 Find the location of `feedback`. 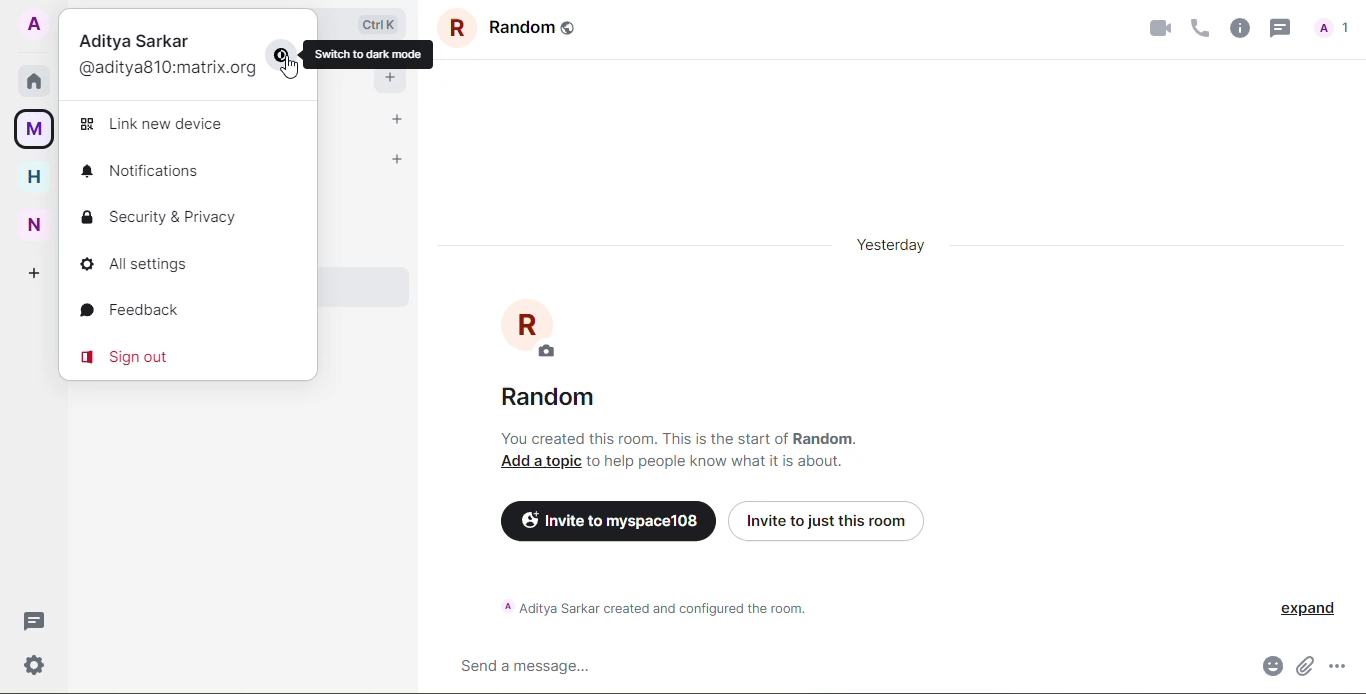

feedback is located at coordinates (141, 306).